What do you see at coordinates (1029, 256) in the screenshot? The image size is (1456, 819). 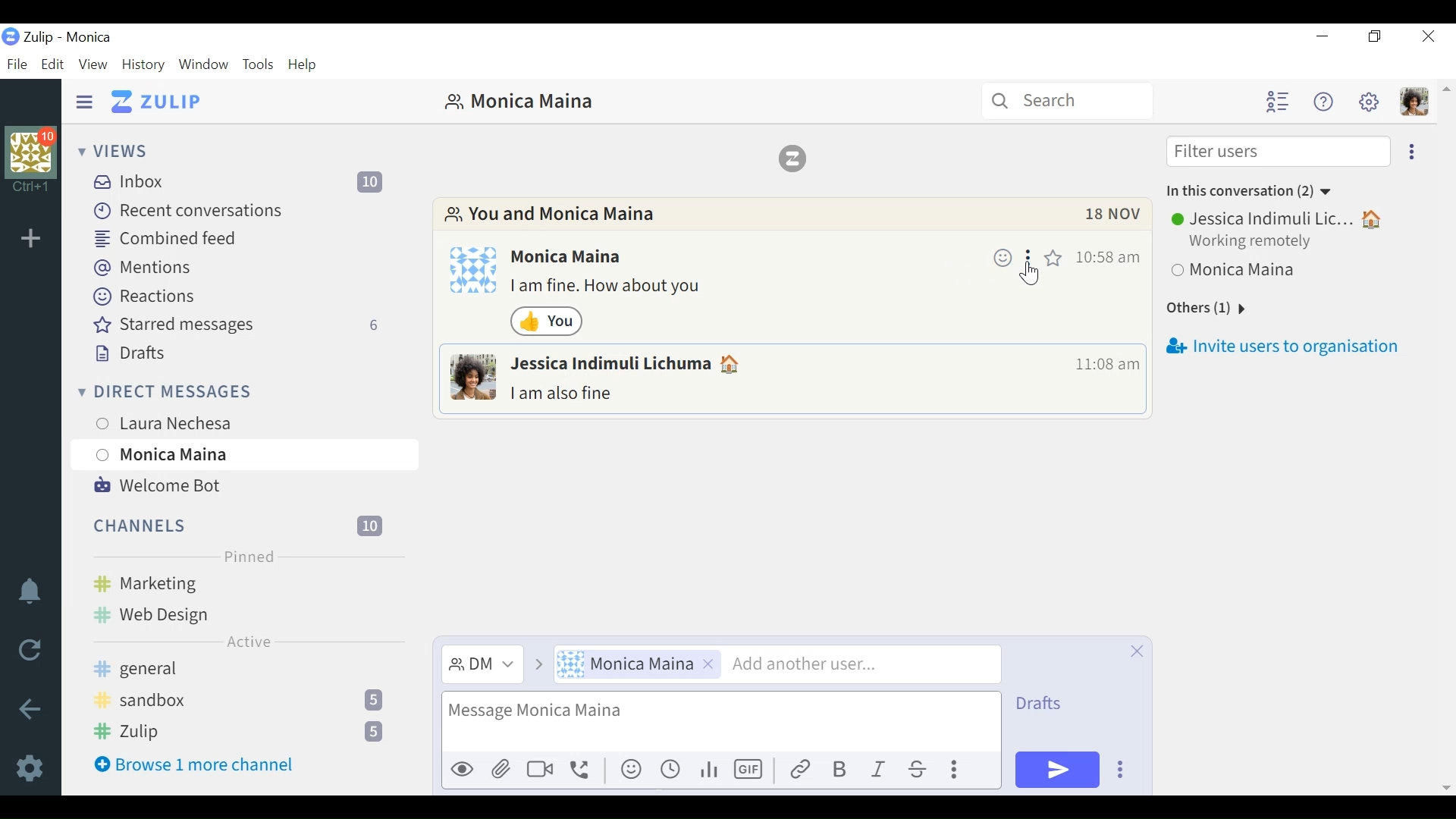 I see `Ellipsis` at bounding box center [1029, 256].